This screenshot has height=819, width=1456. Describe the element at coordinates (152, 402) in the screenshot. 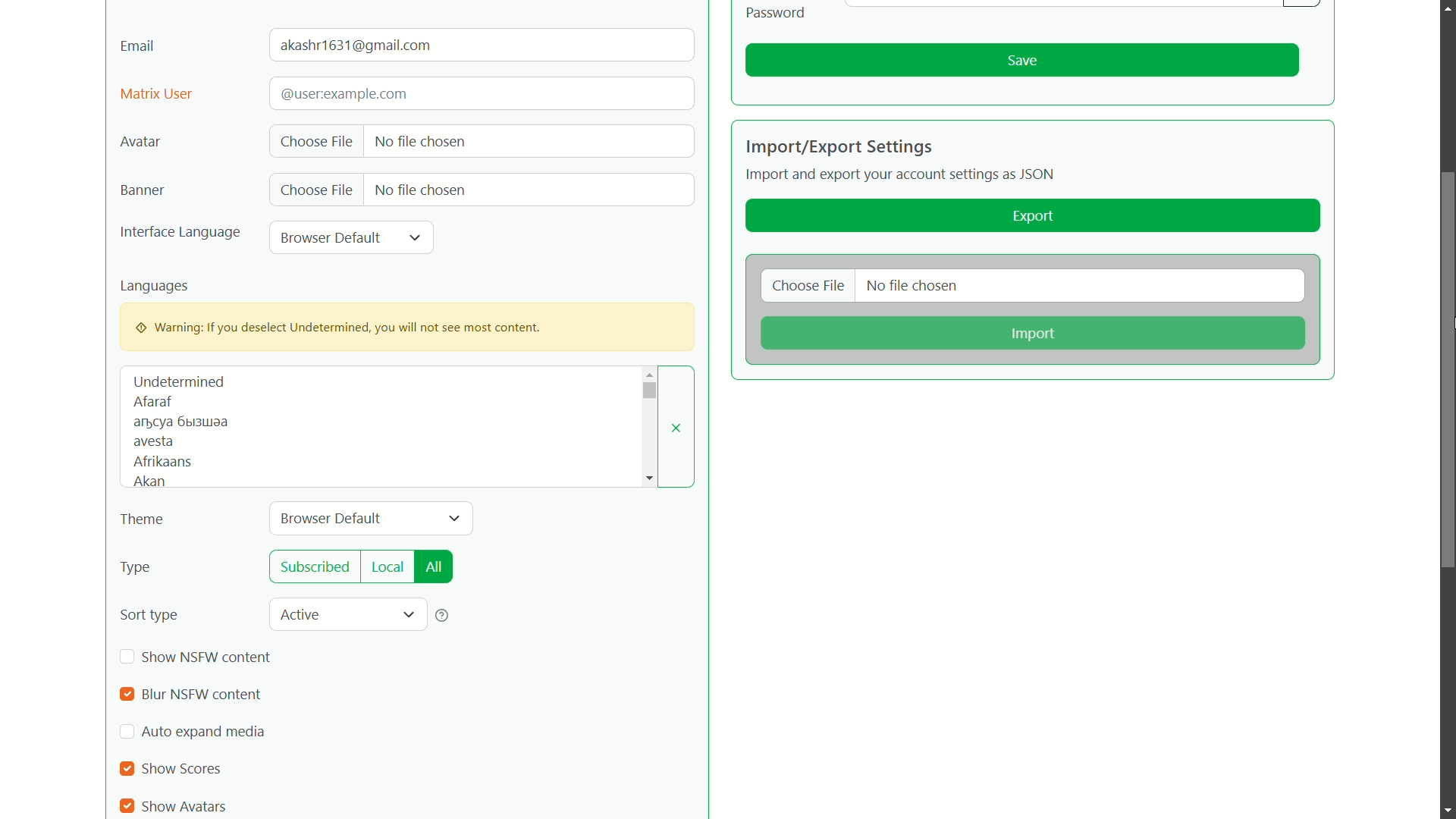

I see `afaraf` at that location.